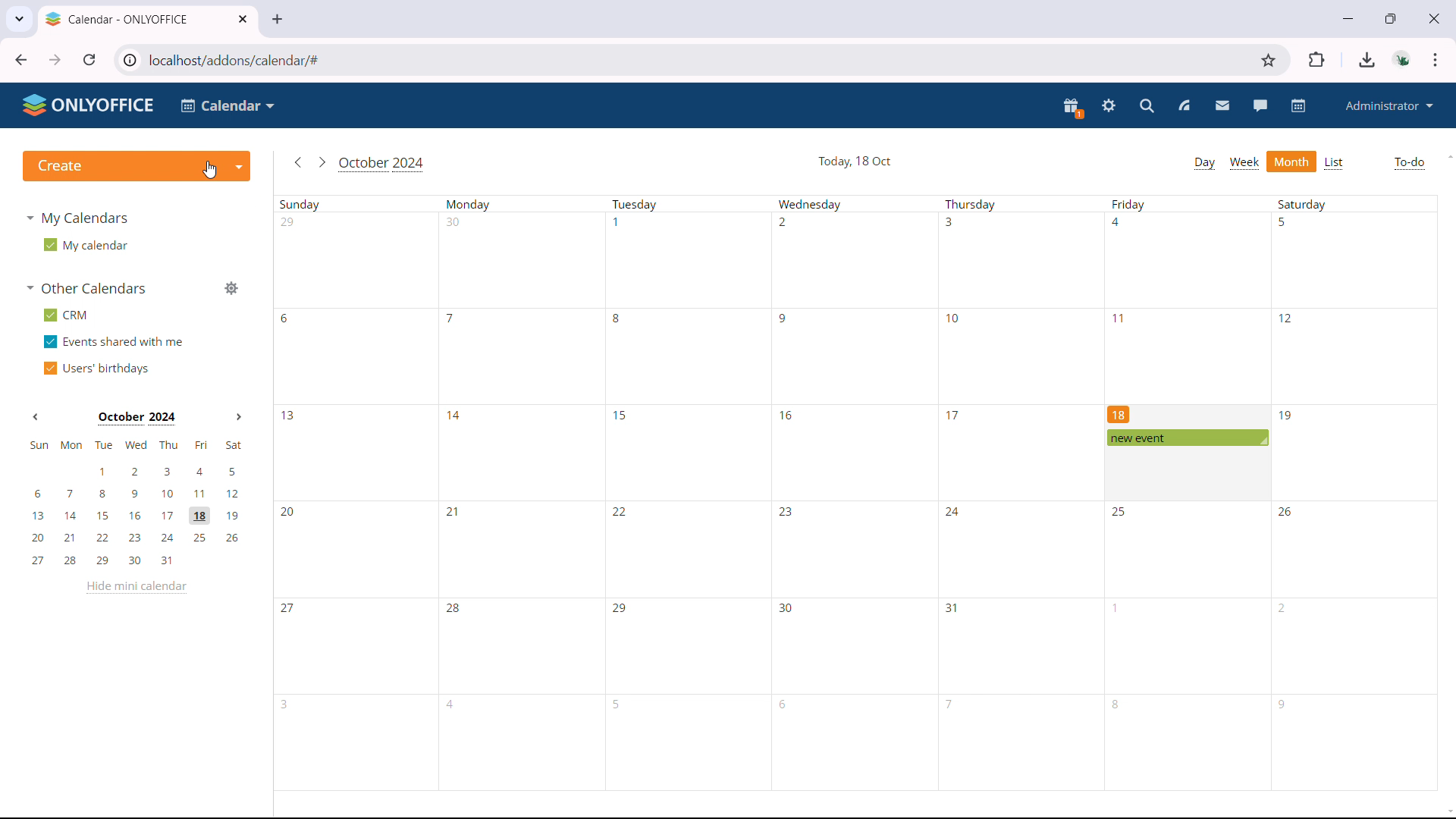 This screenshot has height=819, width=1456. I want to click on 15, so click(621, 415).